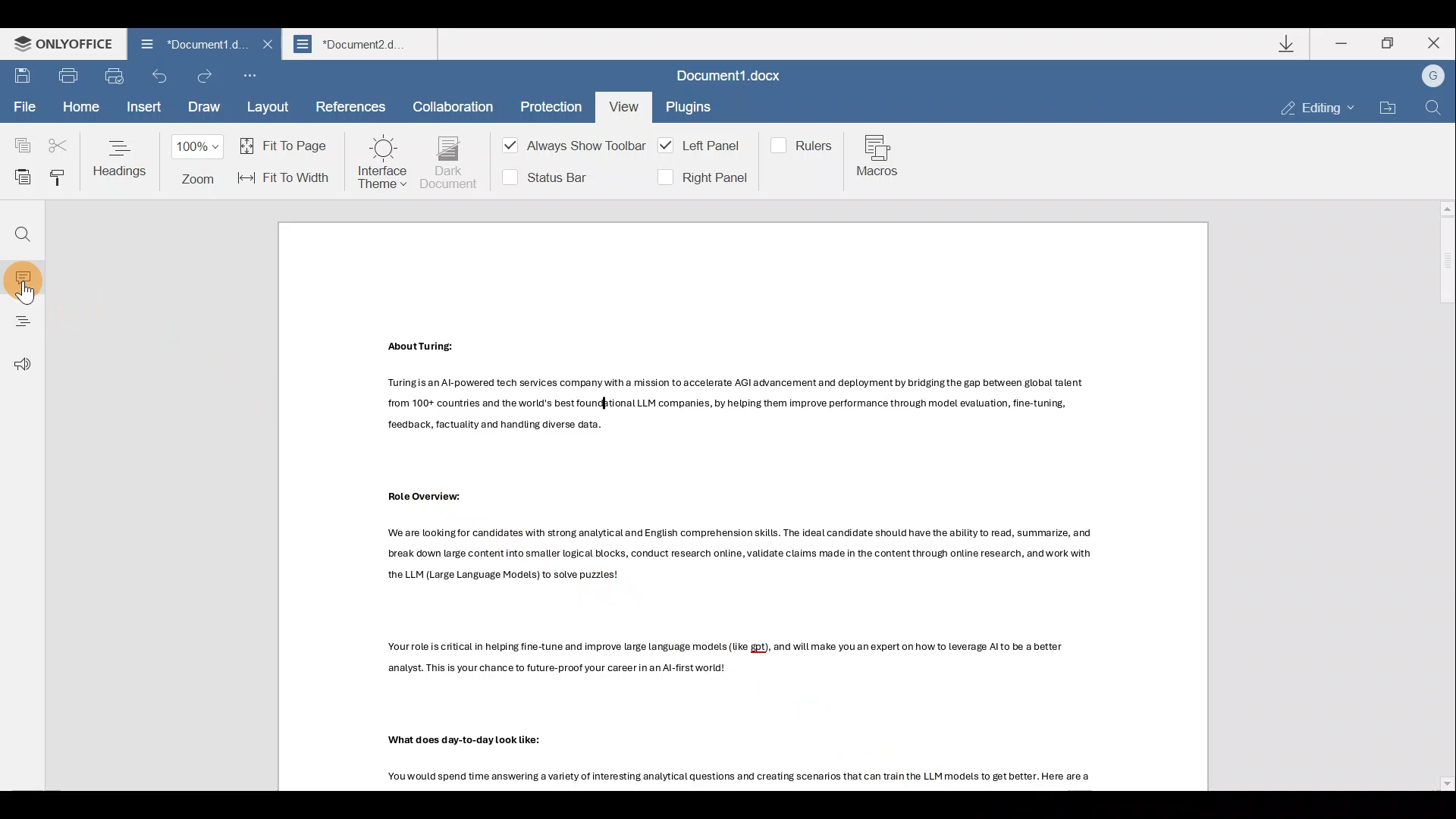 The image size is (1456, 819). What do you see at coordinates (1439, 45) in the screenshot?
I see `Close` at bounding box center [1439, 45].